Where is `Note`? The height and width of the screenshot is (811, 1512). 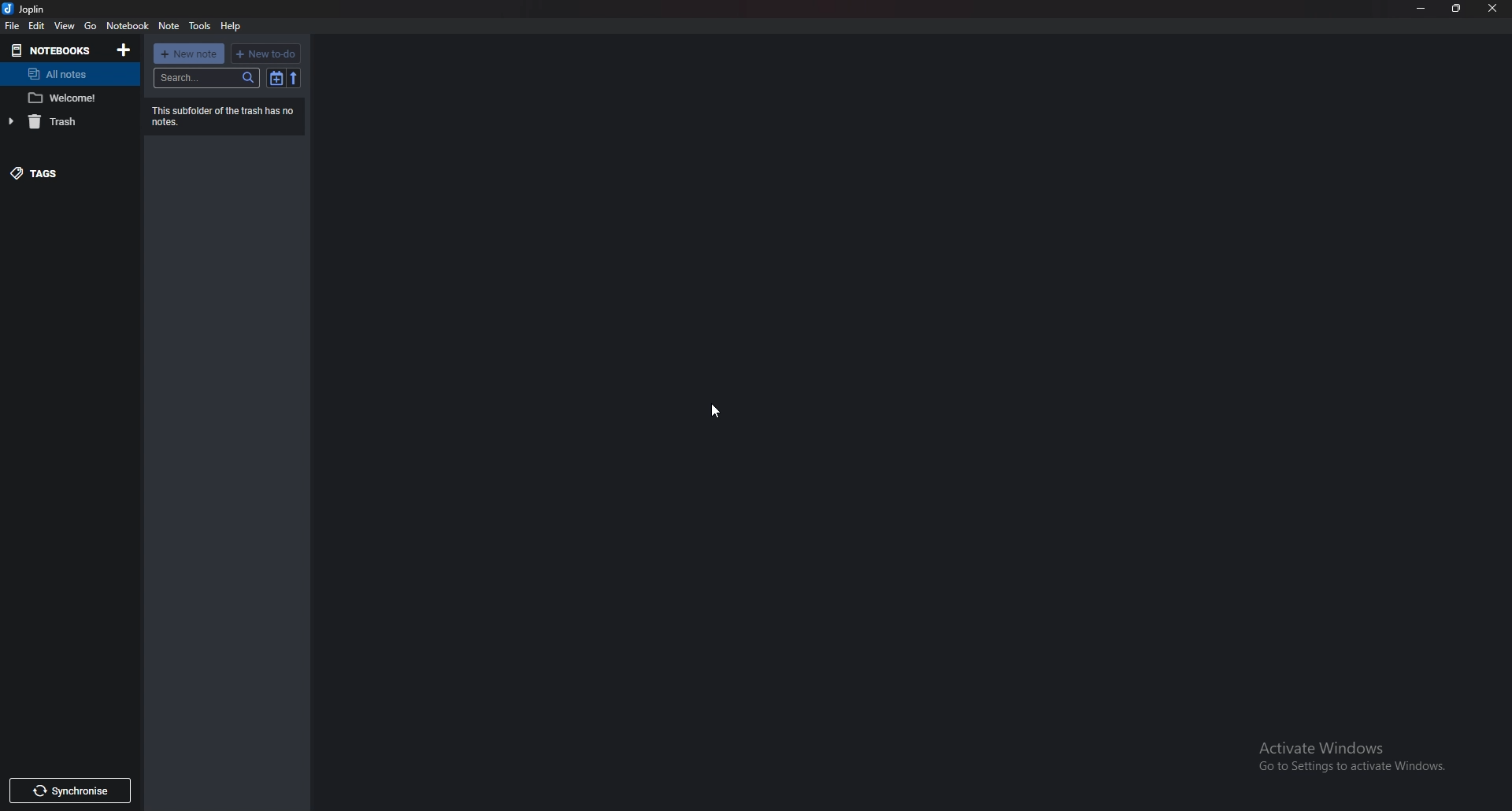
Note is located at coordinates (66, 98).